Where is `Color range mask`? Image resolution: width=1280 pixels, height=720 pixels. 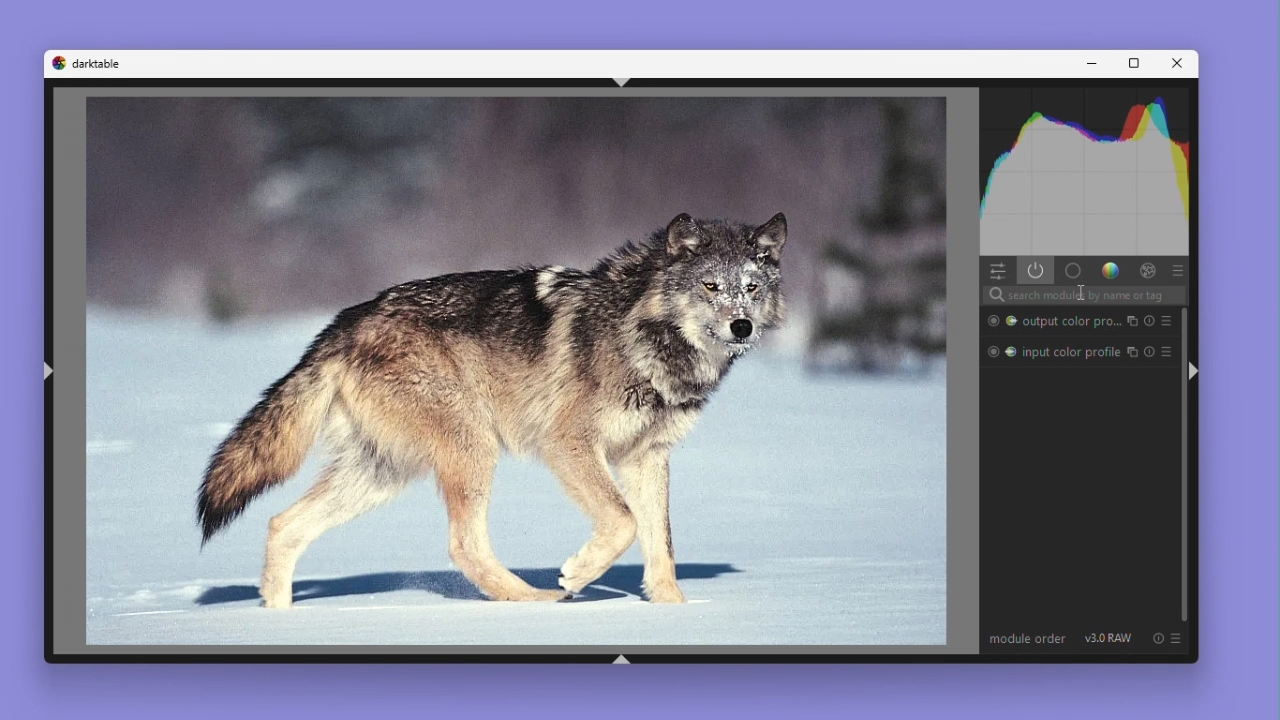
Color range mask is located at coordinates (1013, 321).